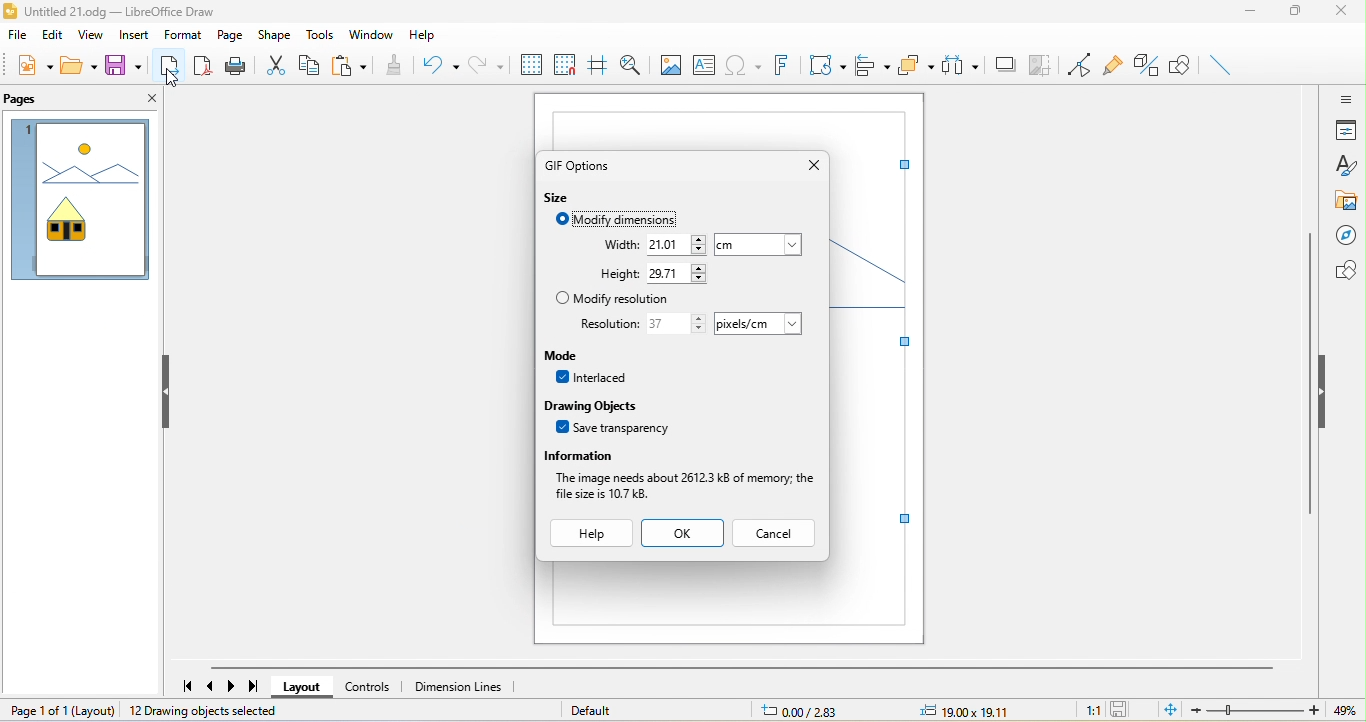 This screenshot has height=722, width=1366. Describe the element at coordinates (79, 203) in the screenshot. I see `page preview` at that location.